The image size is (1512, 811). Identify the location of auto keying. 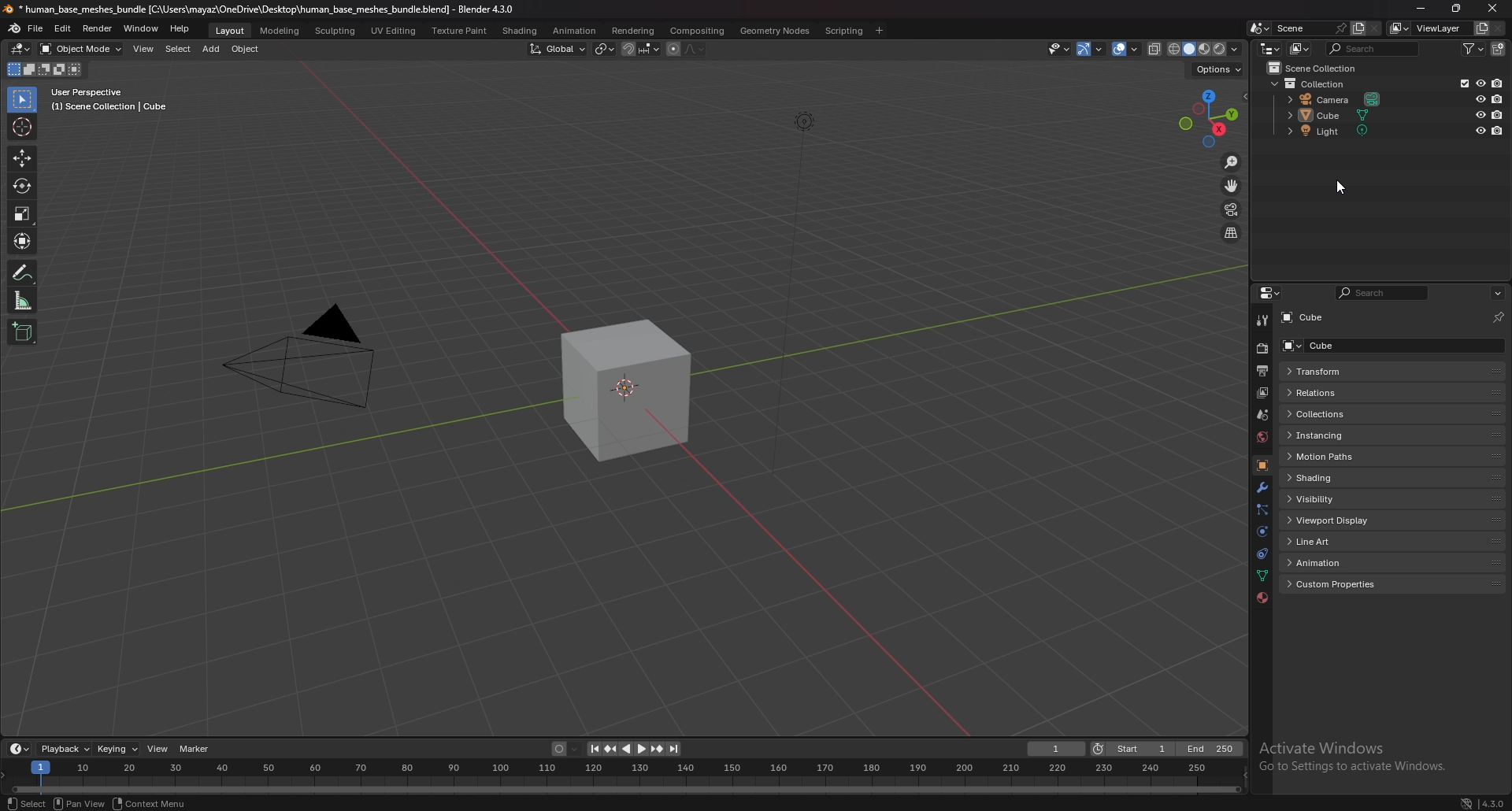
(567, 749).